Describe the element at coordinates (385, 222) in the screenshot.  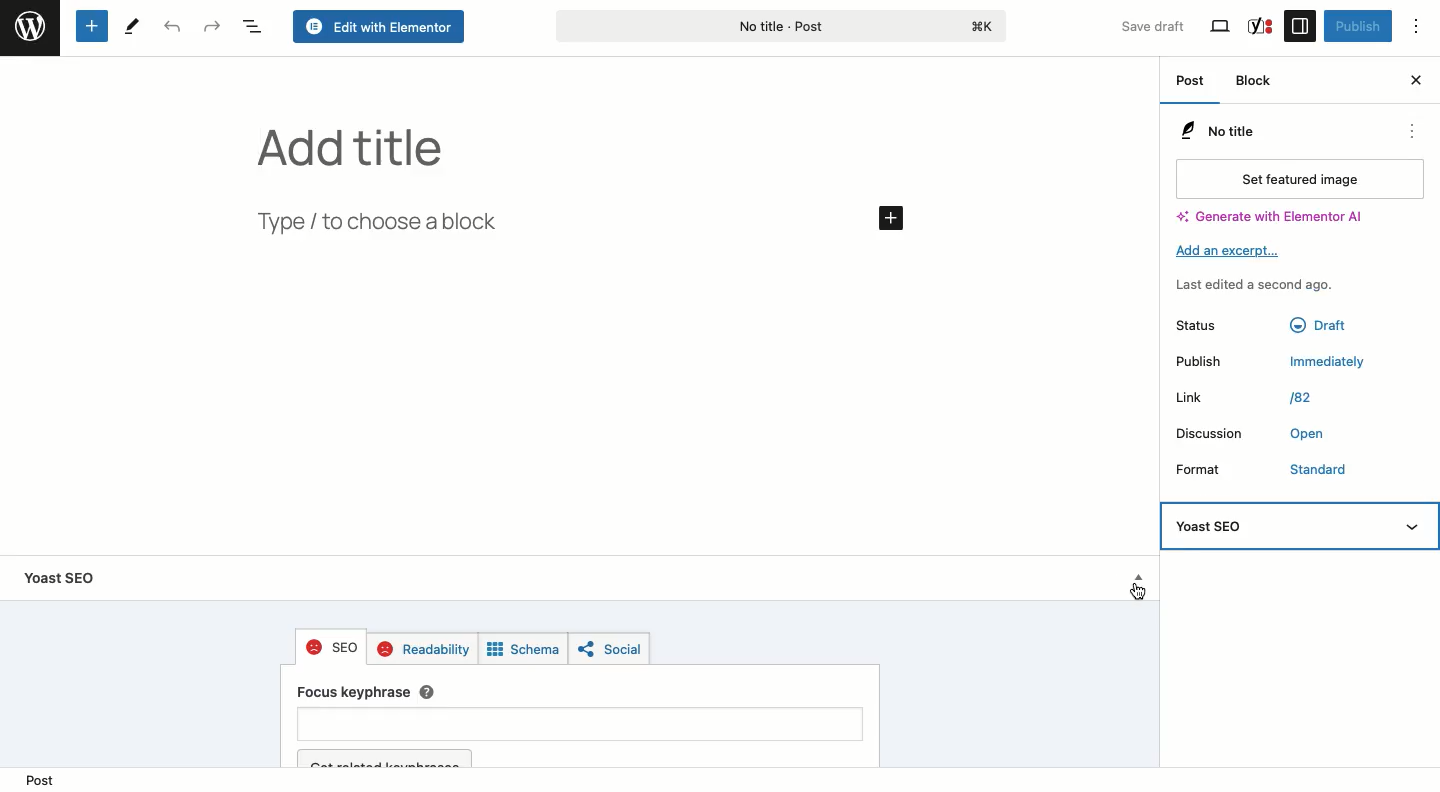
I see `Type / to choose a block` at that location.